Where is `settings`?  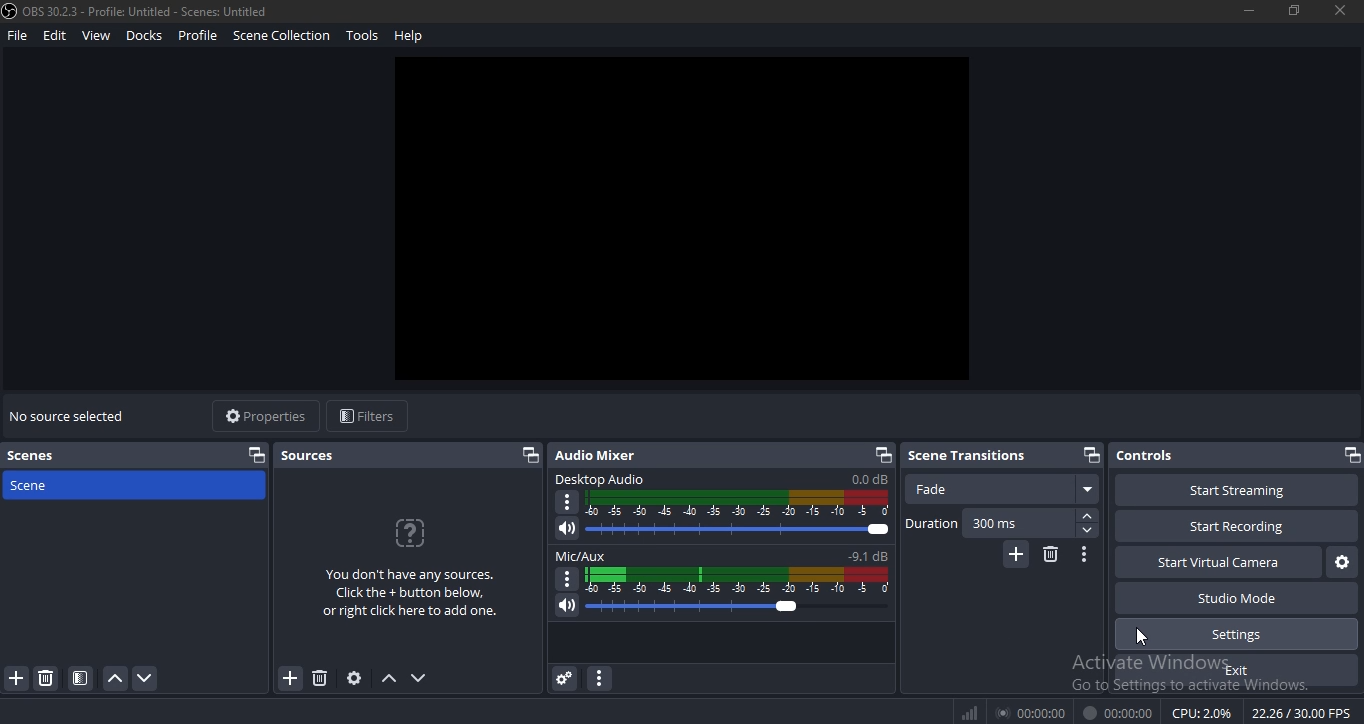 settings is located at coordinates (1236, 633).